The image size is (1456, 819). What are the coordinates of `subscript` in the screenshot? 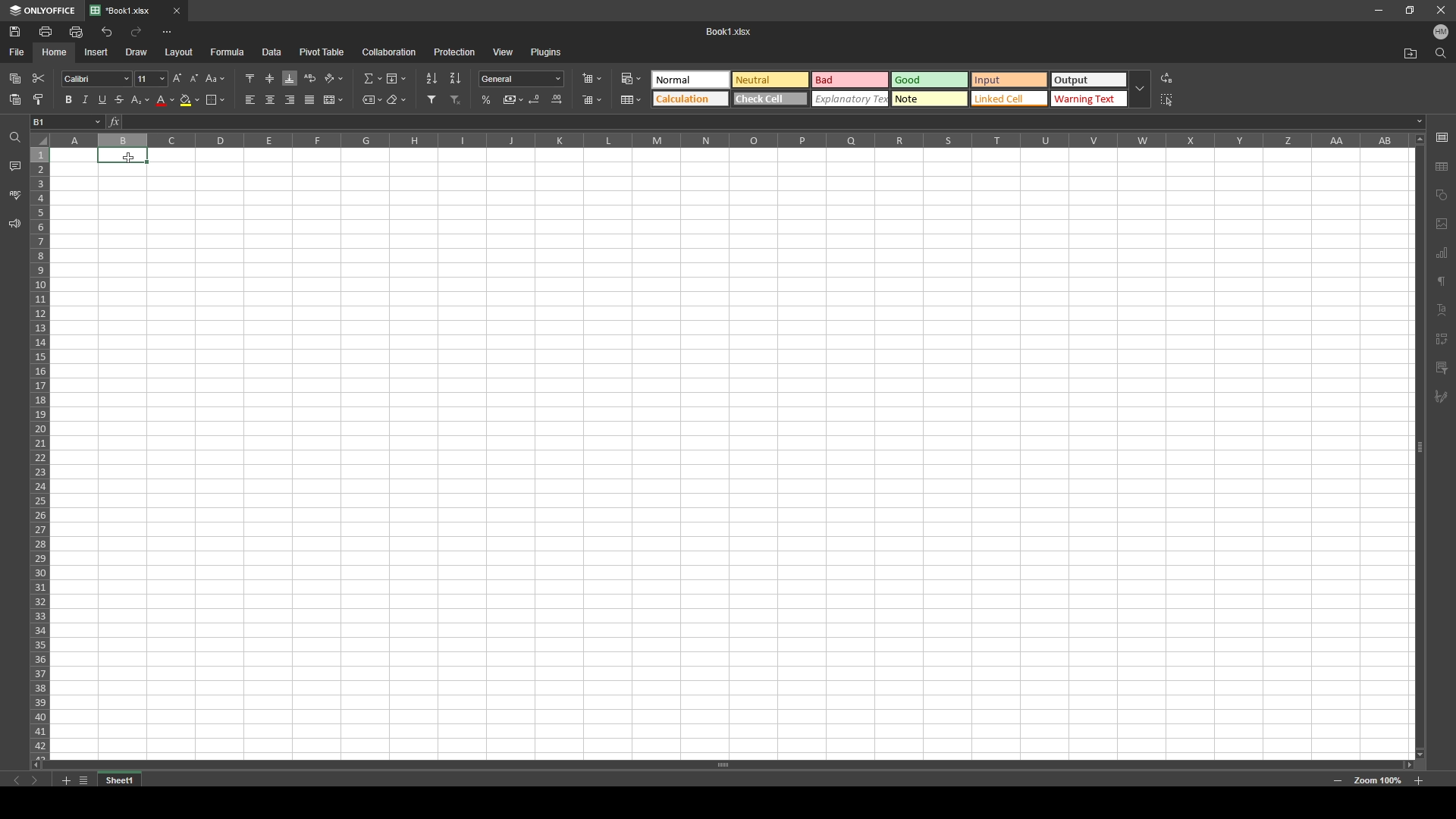 It's located at (141, 100).